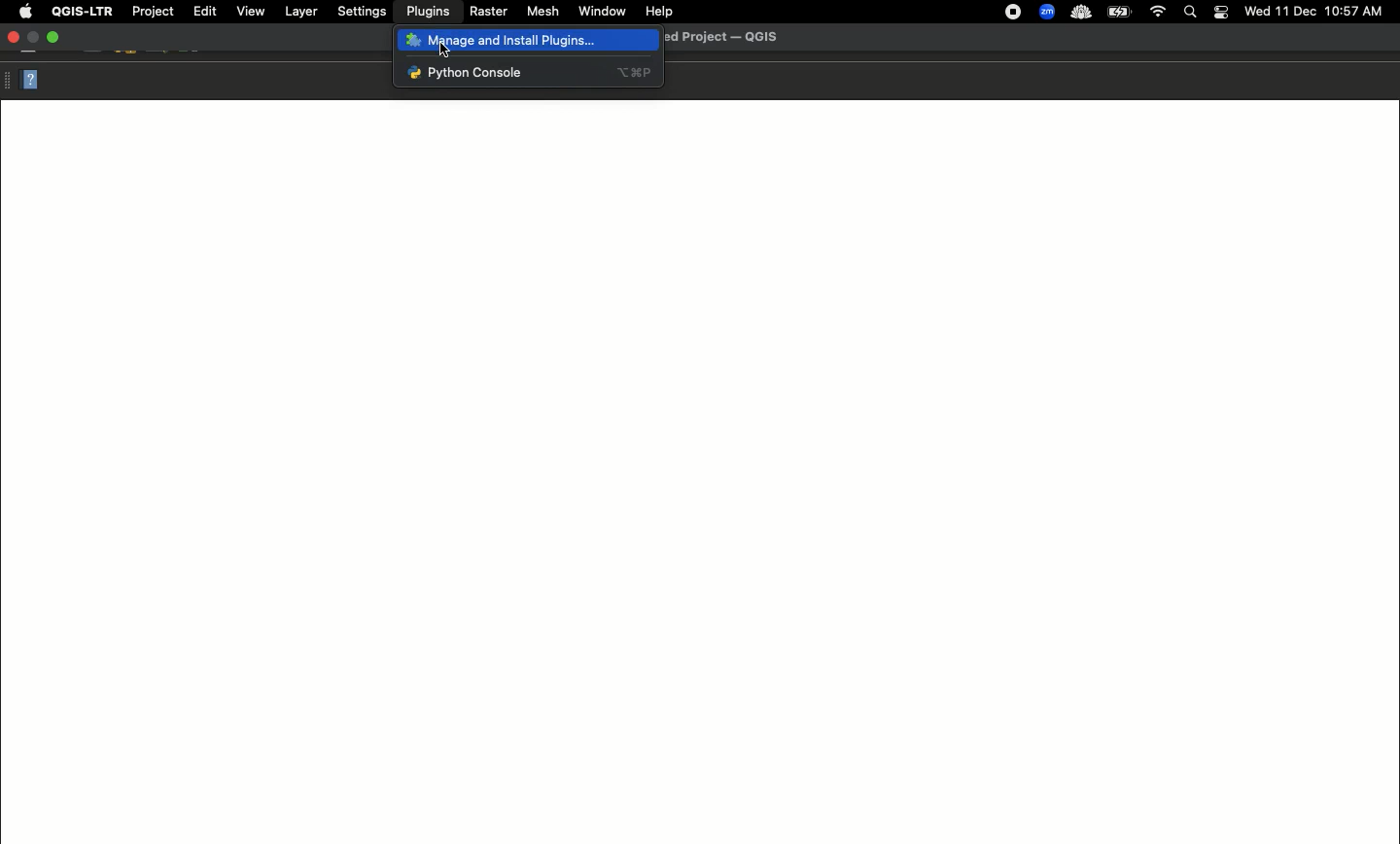 The height and width of the screenshot is (844, 1400). Describe the element at coordinates (82, 12) in the screenshot. I see `QGIS` at that location.